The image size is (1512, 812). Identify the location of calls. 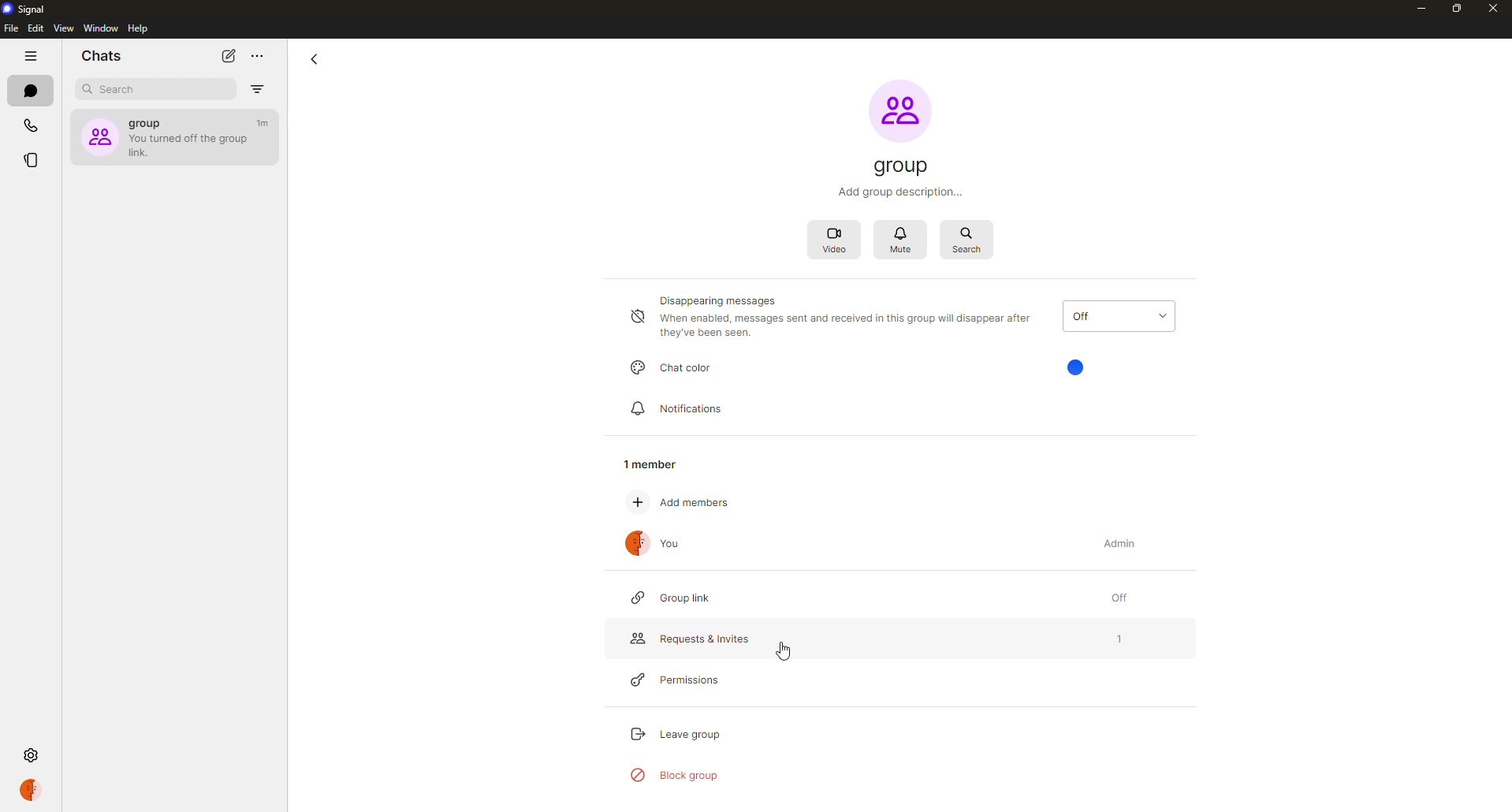
(29, 126).